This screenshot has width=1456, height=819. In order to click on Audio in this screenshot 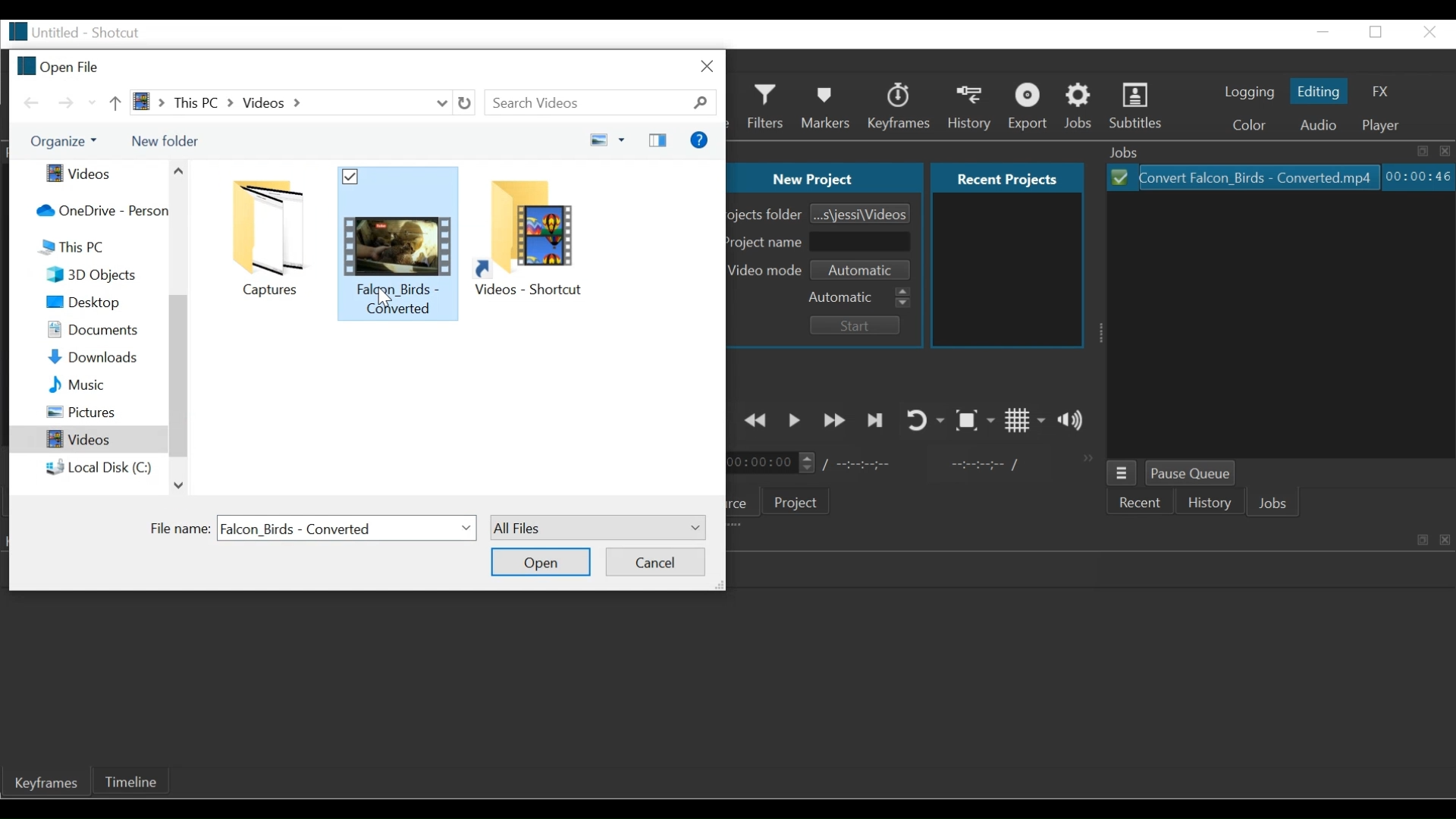, I will do `click(1321, 125)`.